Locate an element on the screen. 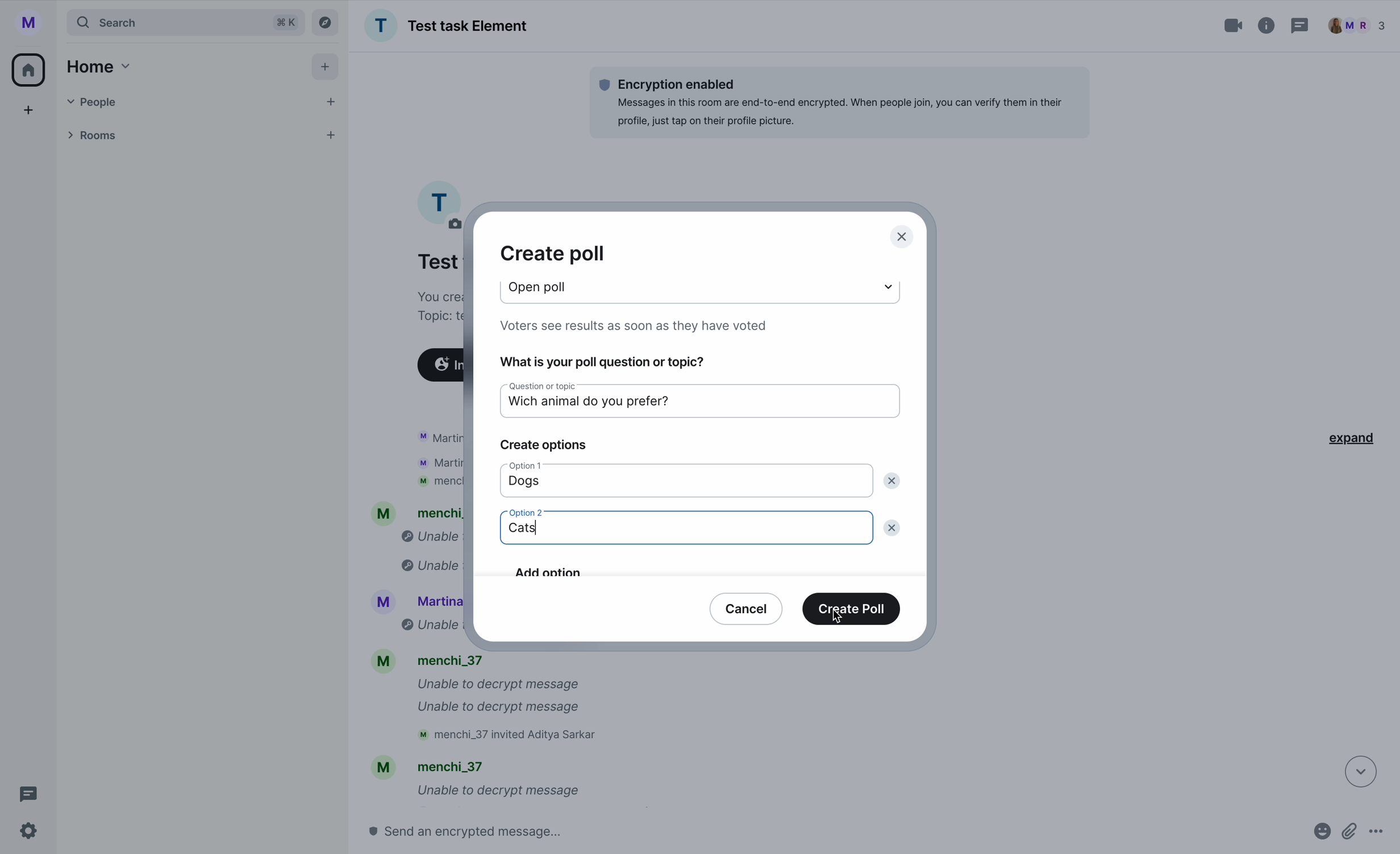  which animal do you prefer is located at coordinates (607, 406).